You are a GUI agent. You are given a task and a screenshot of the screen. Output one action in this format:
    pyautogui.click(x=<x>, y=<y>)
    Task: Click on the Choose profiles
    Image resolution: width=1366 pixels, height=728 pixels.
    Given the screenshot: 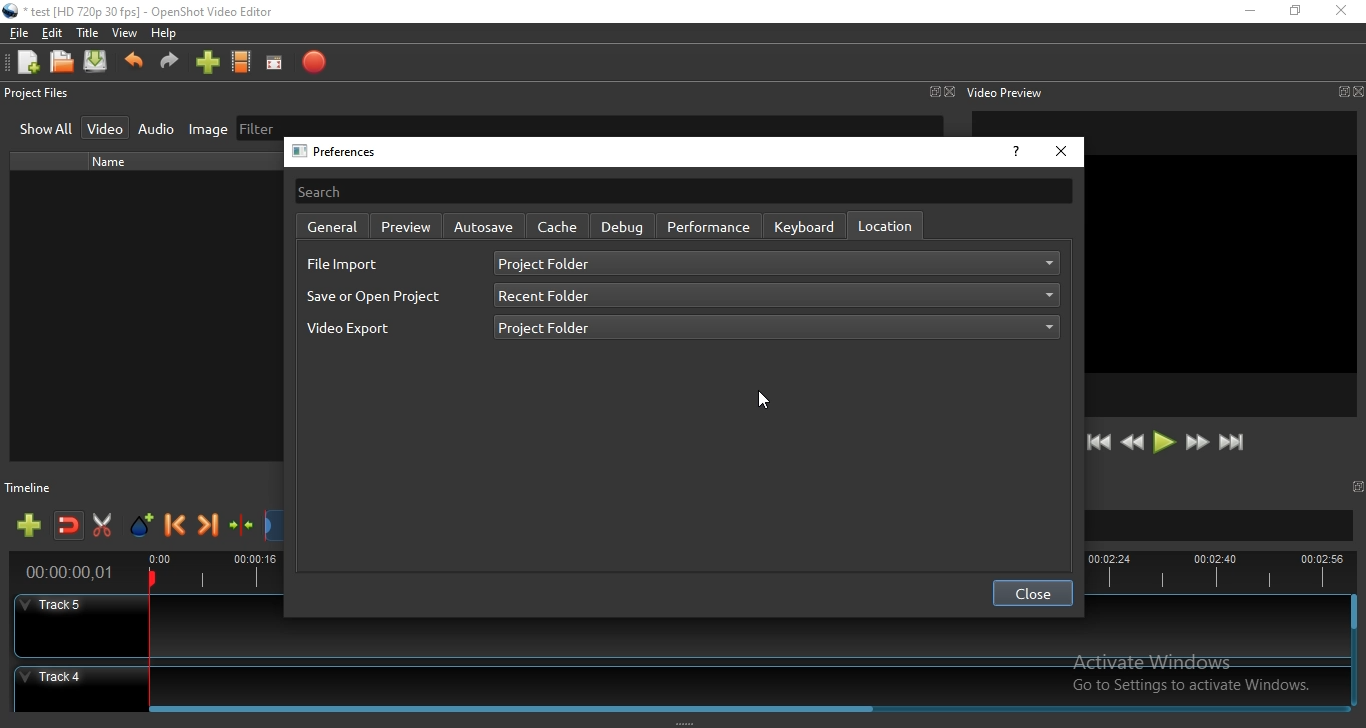 What is the action you would take?
    pyautogui.click(x=242, y=63)
    